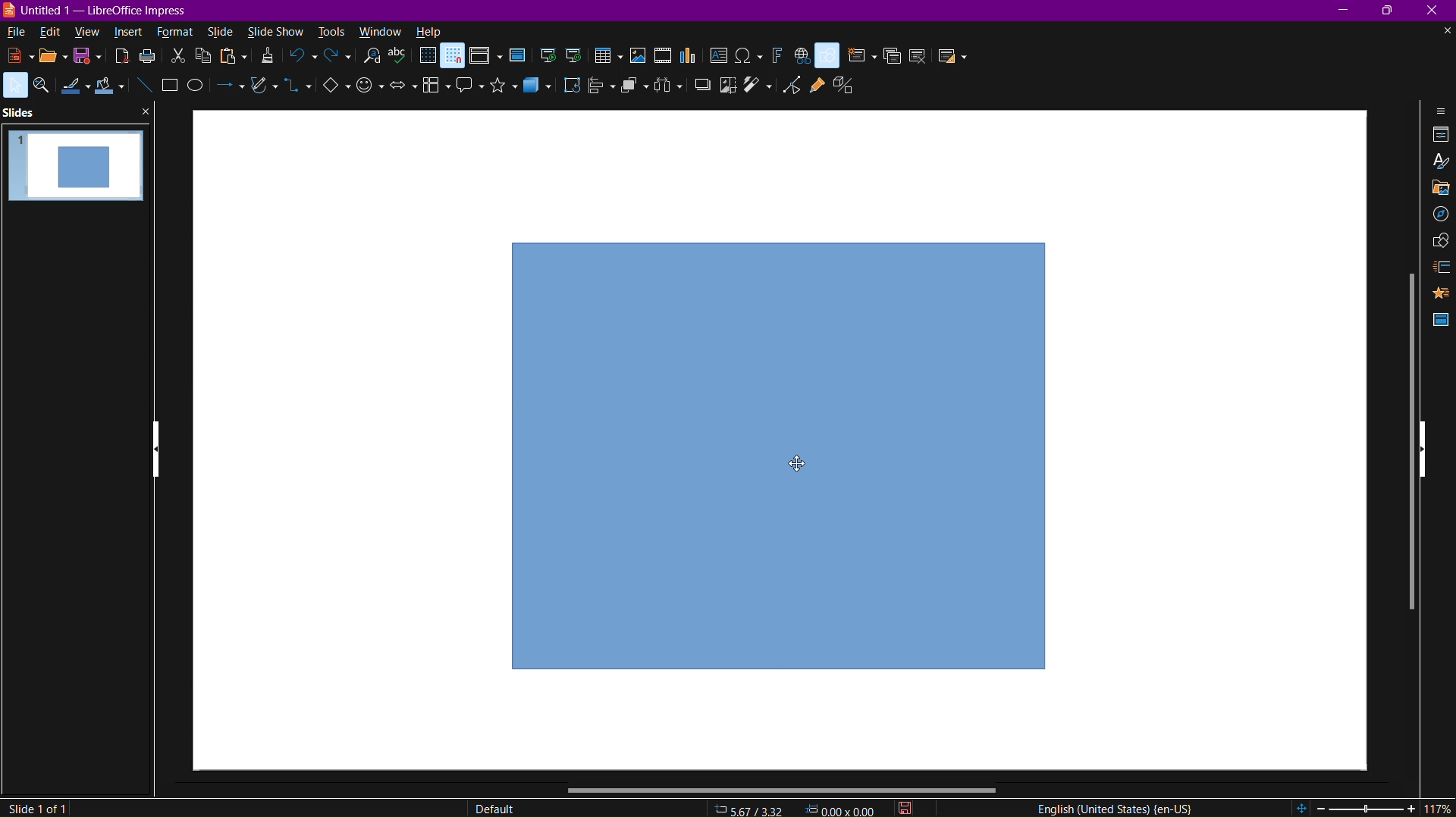 The width and height of the screenshot is (1456, 817). What do you see at coordinates (494, 806) in the screenshot?
I see `Default` at bounding box center [494, 806].